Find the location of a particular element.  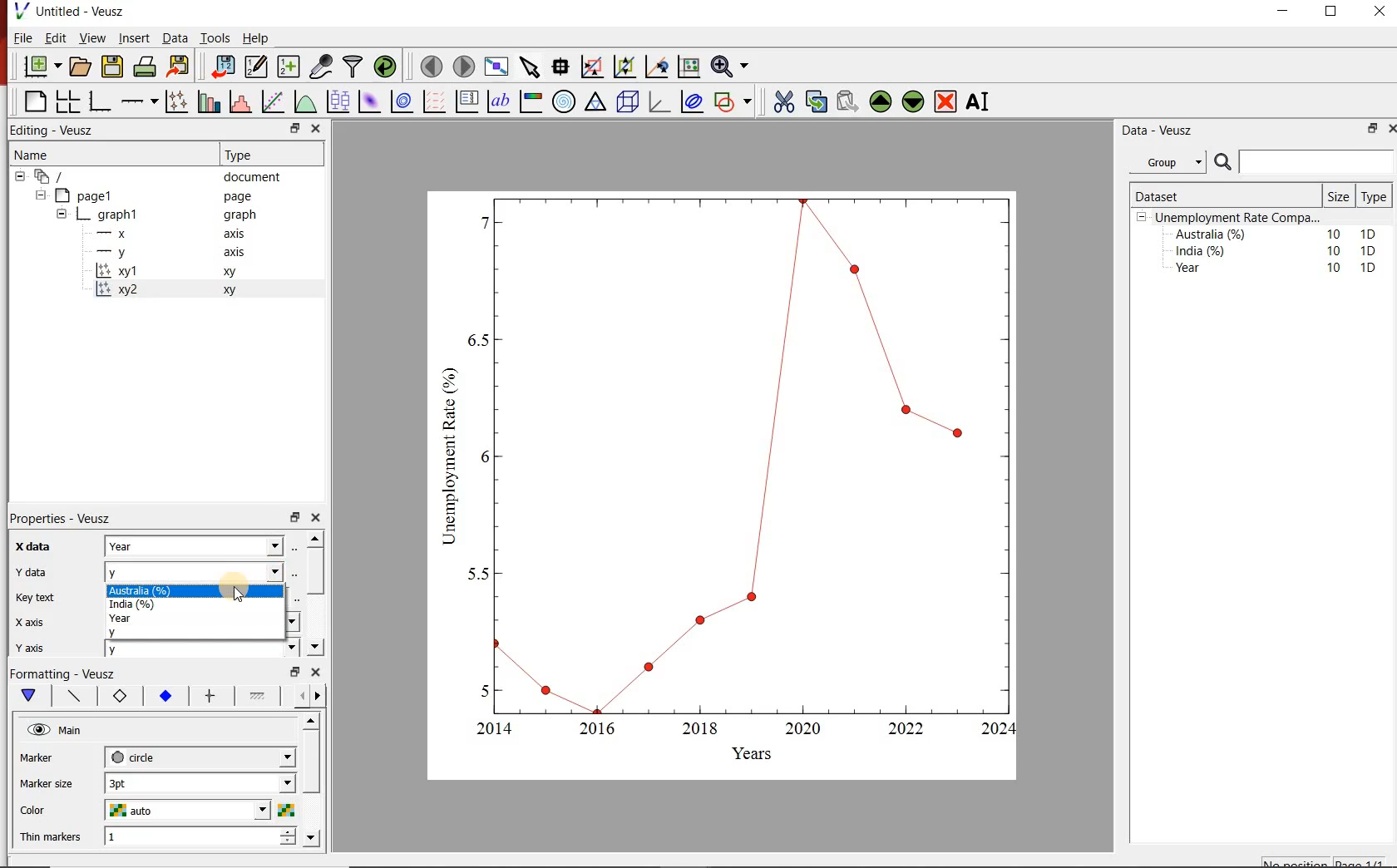

Formatting - Veusz is located at coordinates (62, 672).